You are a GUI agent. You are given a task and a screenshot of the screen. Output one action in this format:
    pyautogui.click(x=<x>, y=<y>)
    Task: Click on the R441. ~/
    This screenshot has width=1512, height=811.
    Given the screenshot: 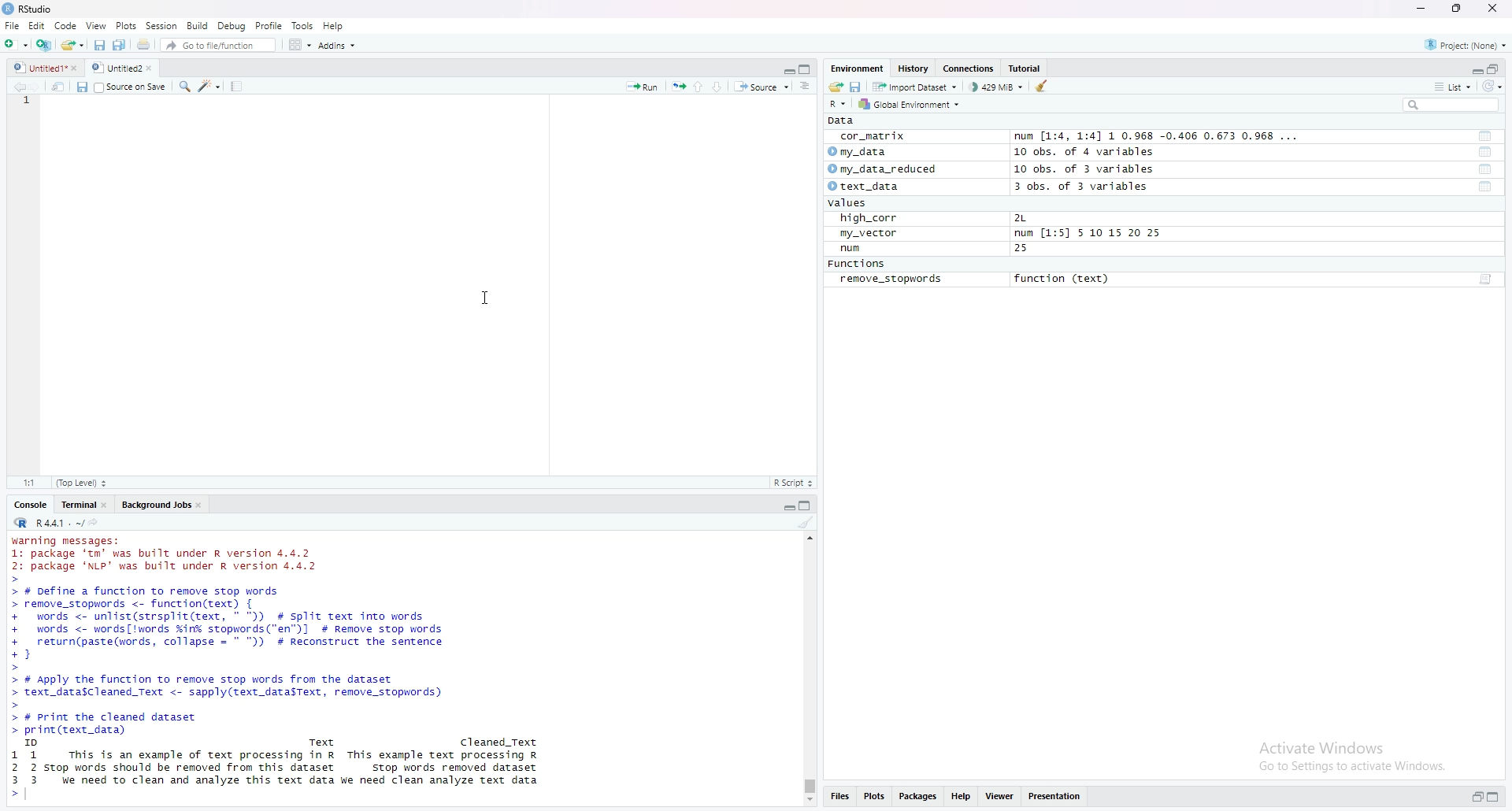 What is the action you would take?
    pyautogui.click(x=57, y=522)
    